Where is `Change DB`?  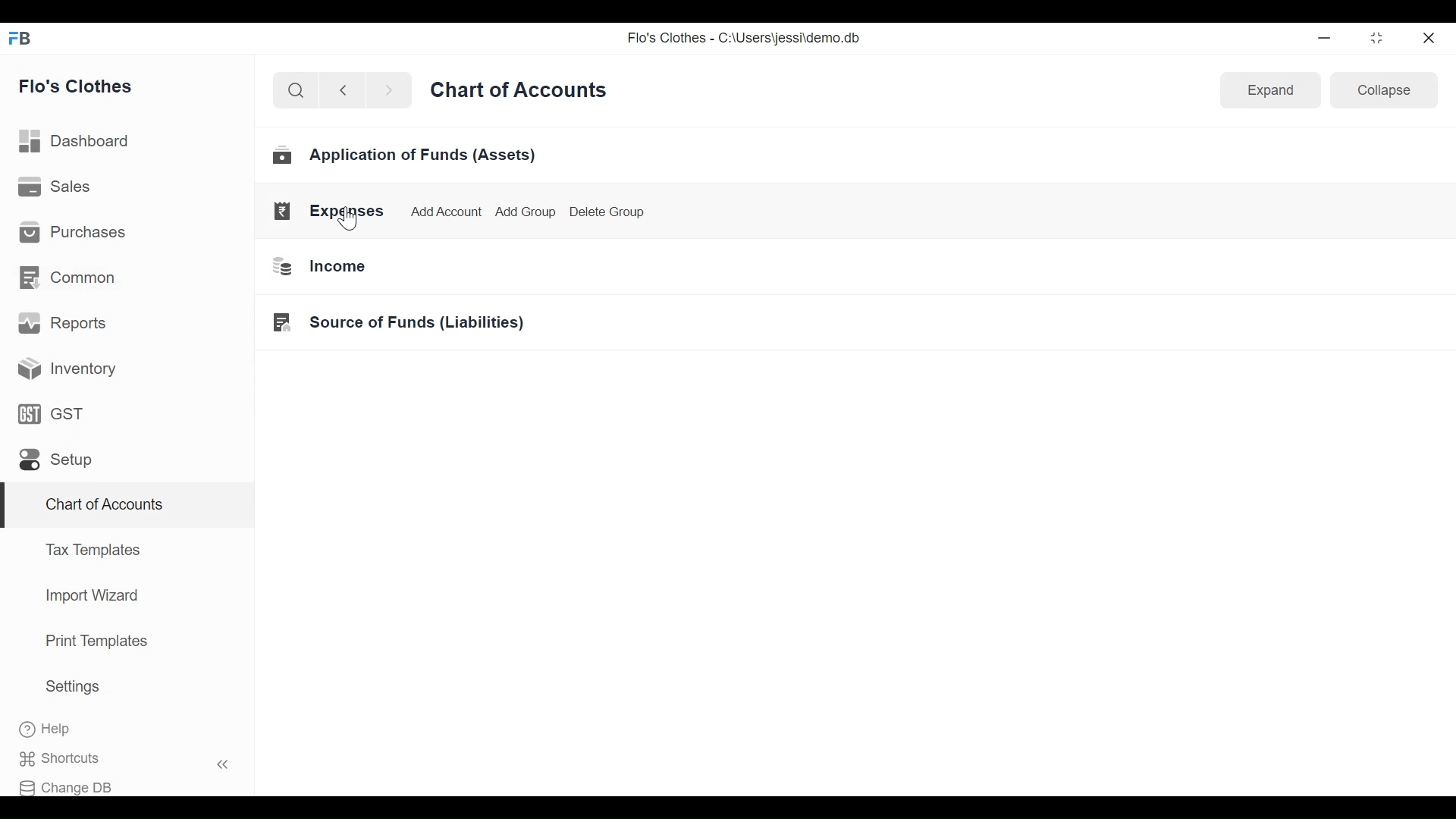
Change DB is located at coordinates (74, 784).